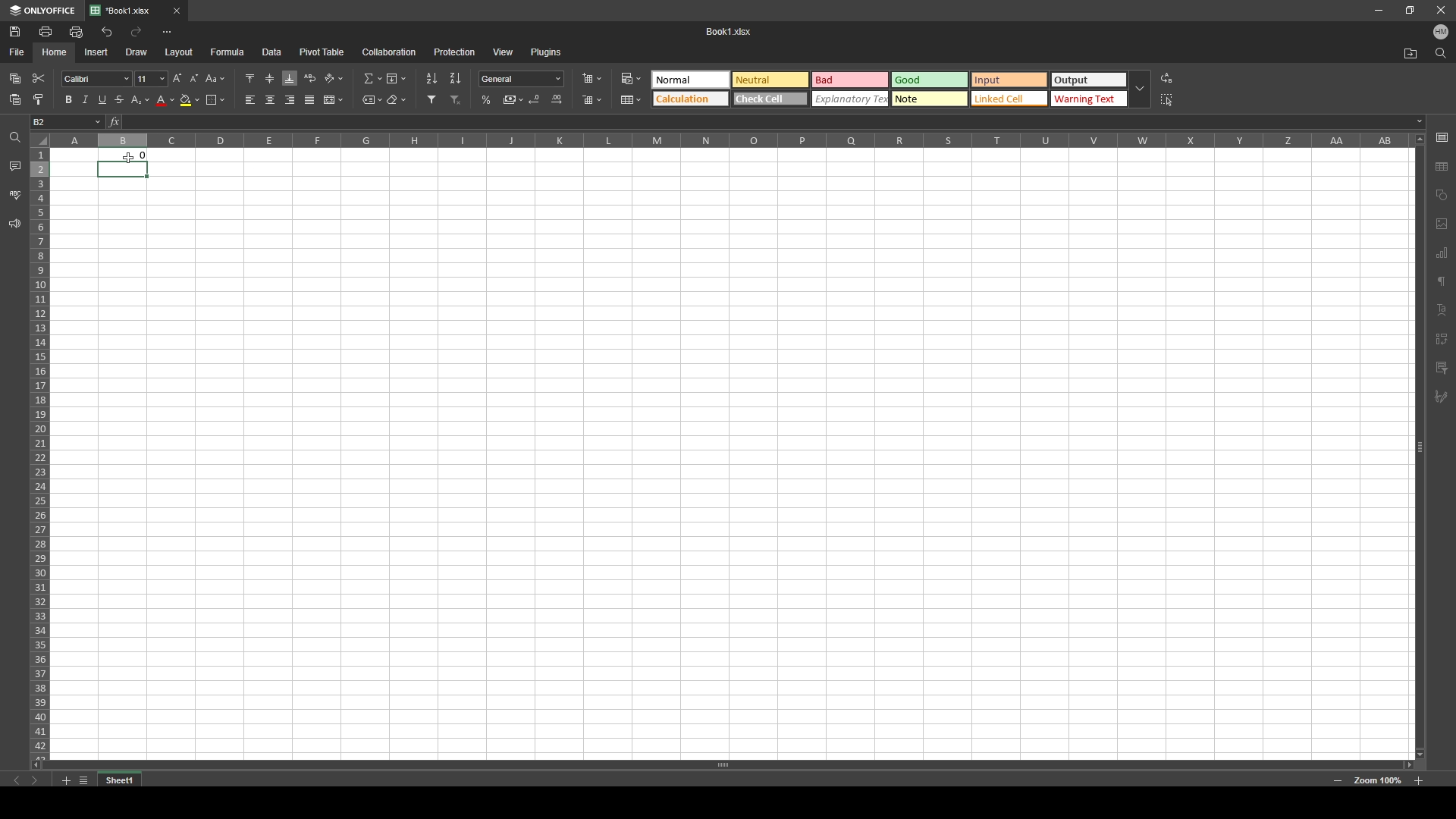 The width and height of the screenshot is (1456, 819). Describe the element at coordinates (729, 141) in the screenshot. I see `column` at that location.